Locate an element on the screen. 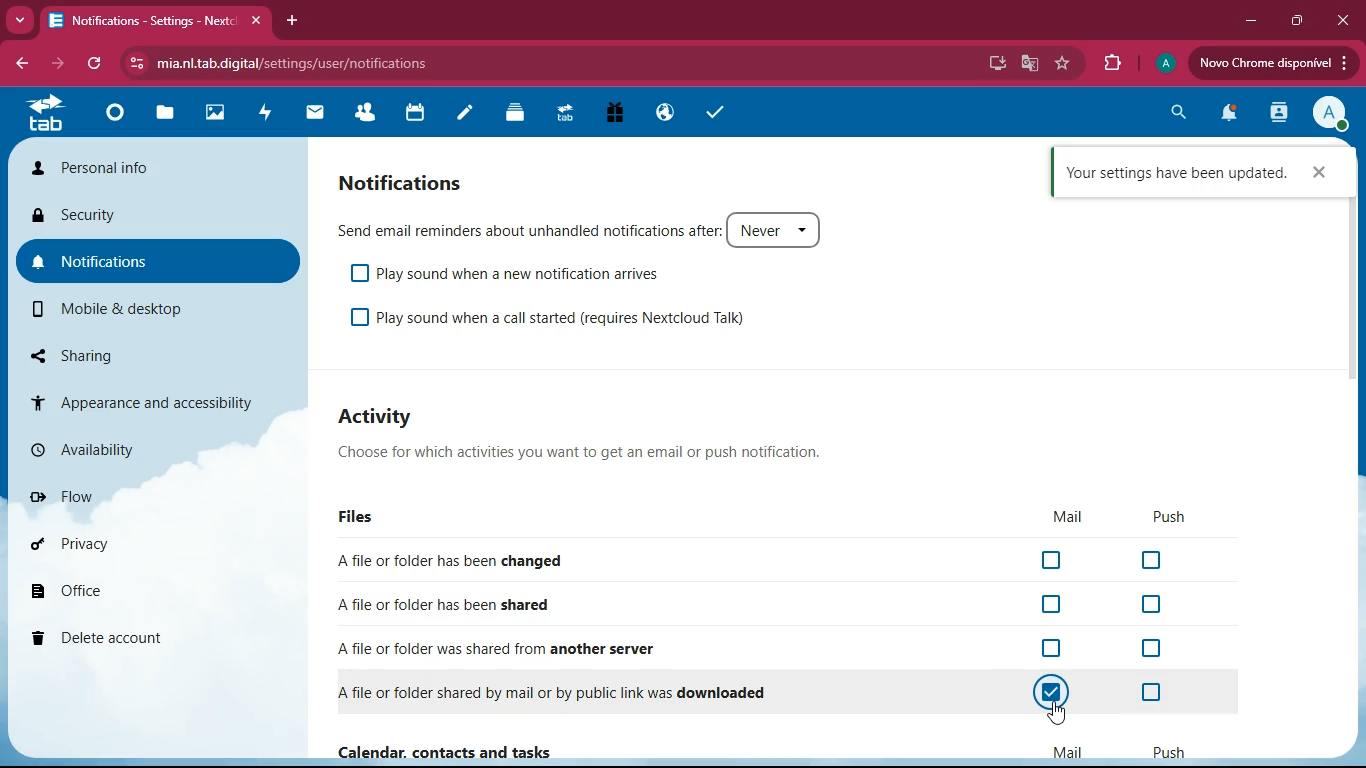 The height and width of the screenshot is (768, 1366). profile is located at coordinates (1331, 111).